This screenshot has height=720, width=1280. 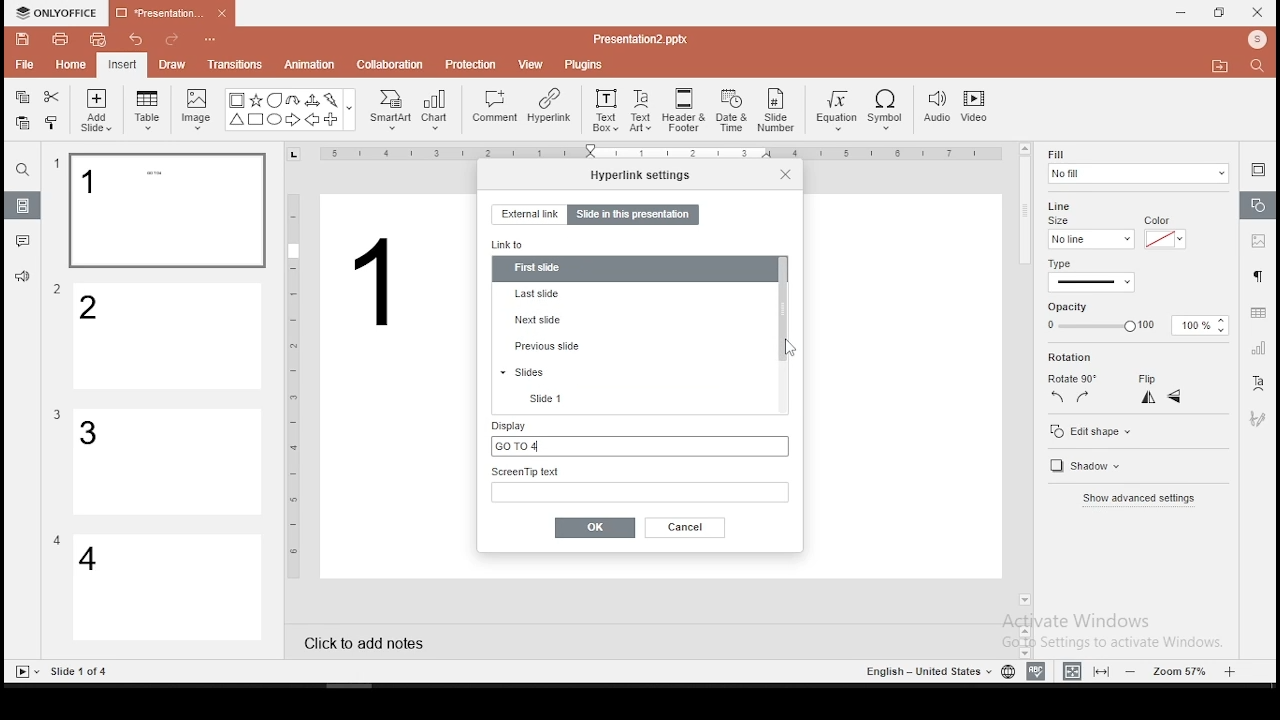 I want to click on print file, so click(x=60, y=37).